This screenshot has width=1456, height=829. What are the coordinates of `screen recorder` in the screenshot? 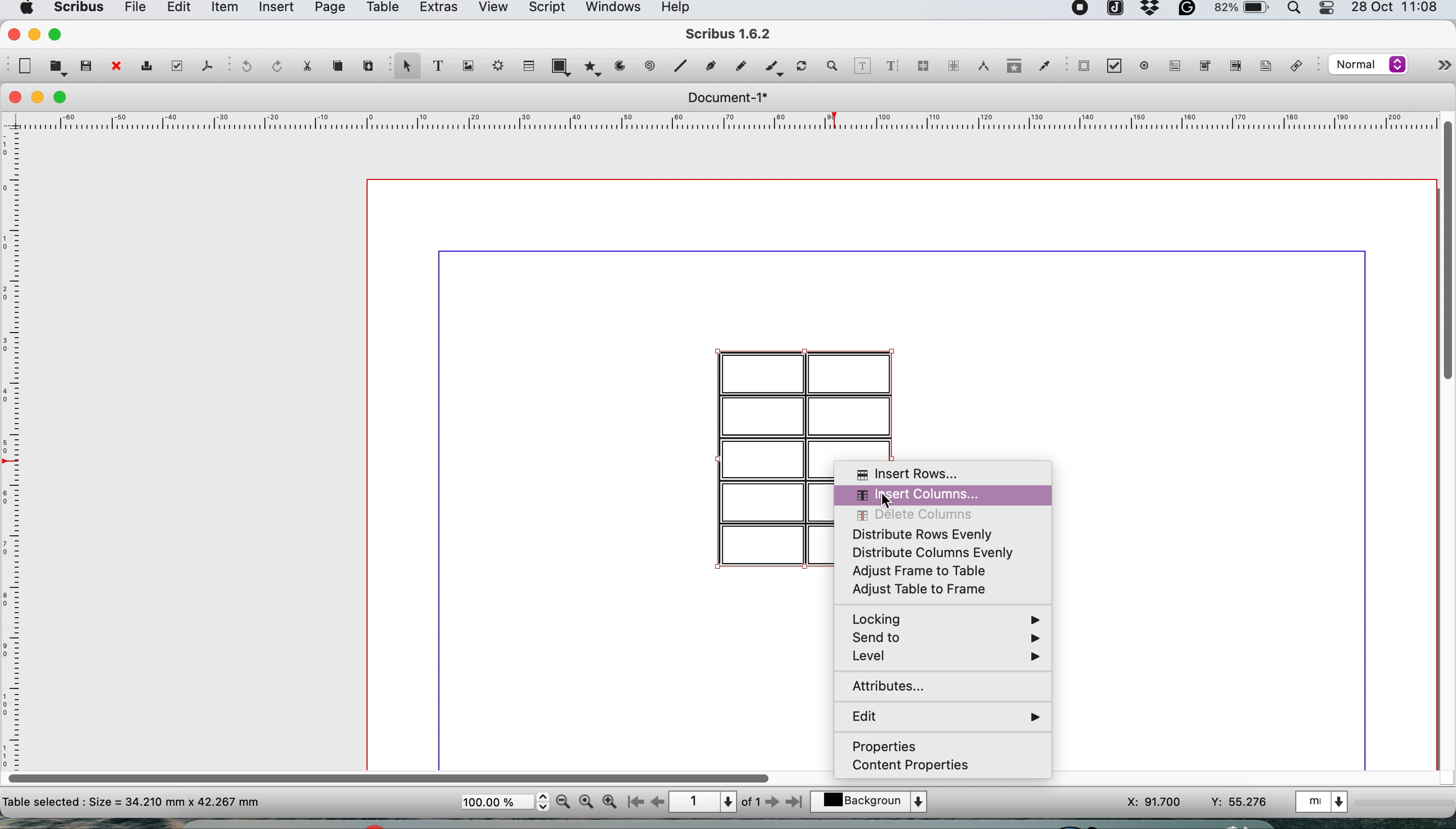 It's located at (1081, 10).